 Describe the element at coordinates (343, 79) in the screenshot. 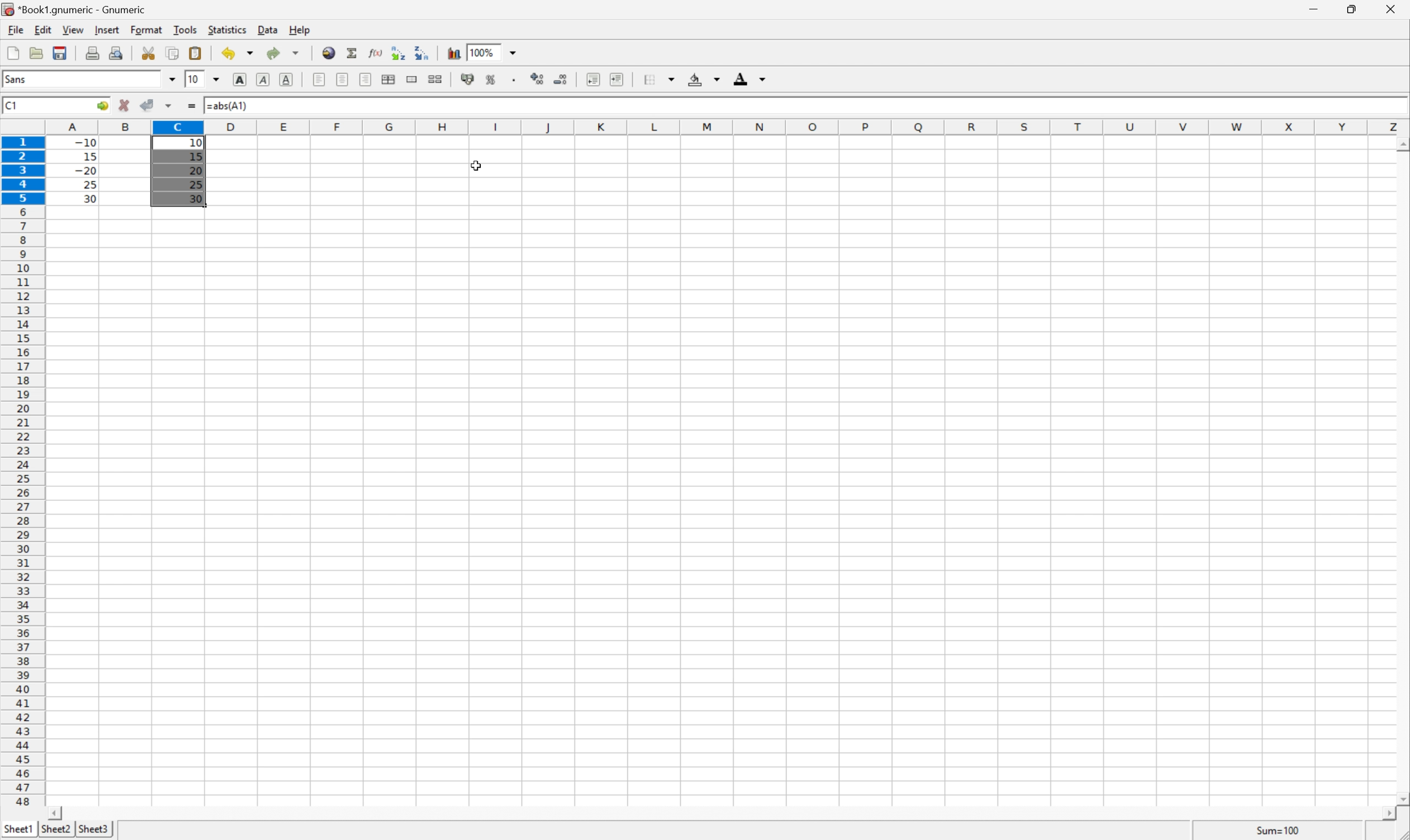

I see `center horizontally` at that location.